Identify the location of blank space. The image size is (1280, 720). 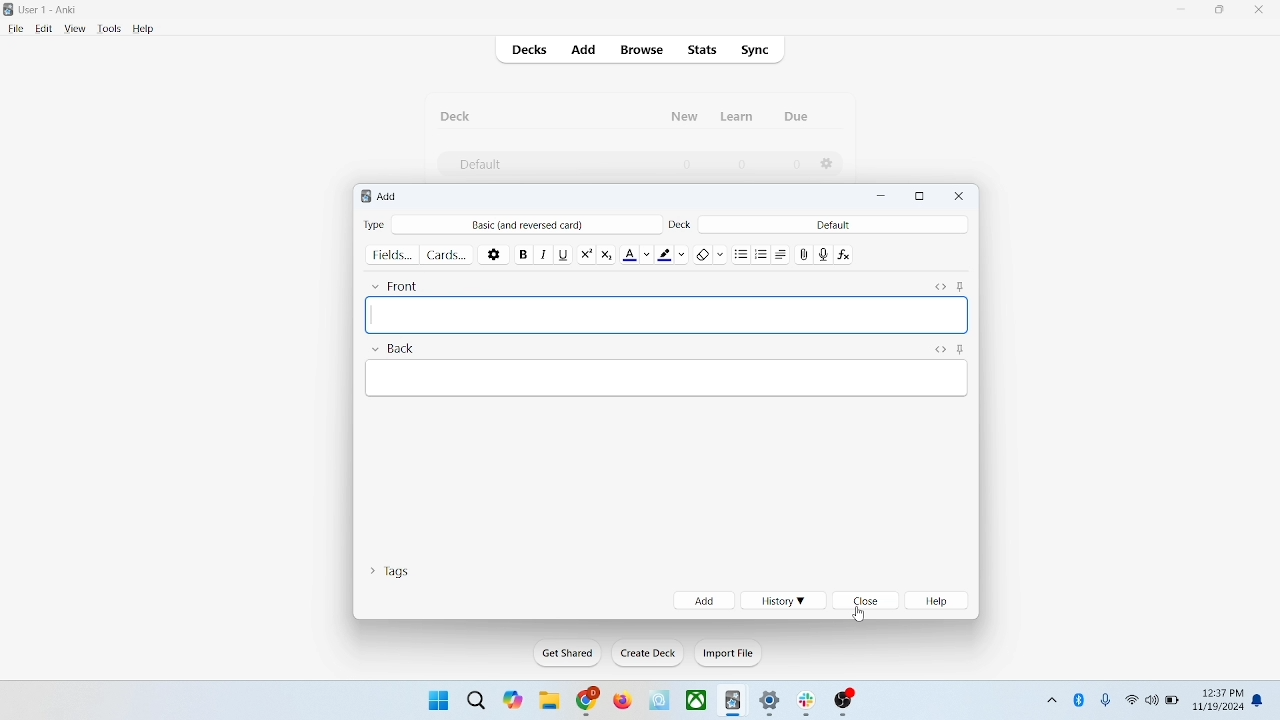
(667, 314).